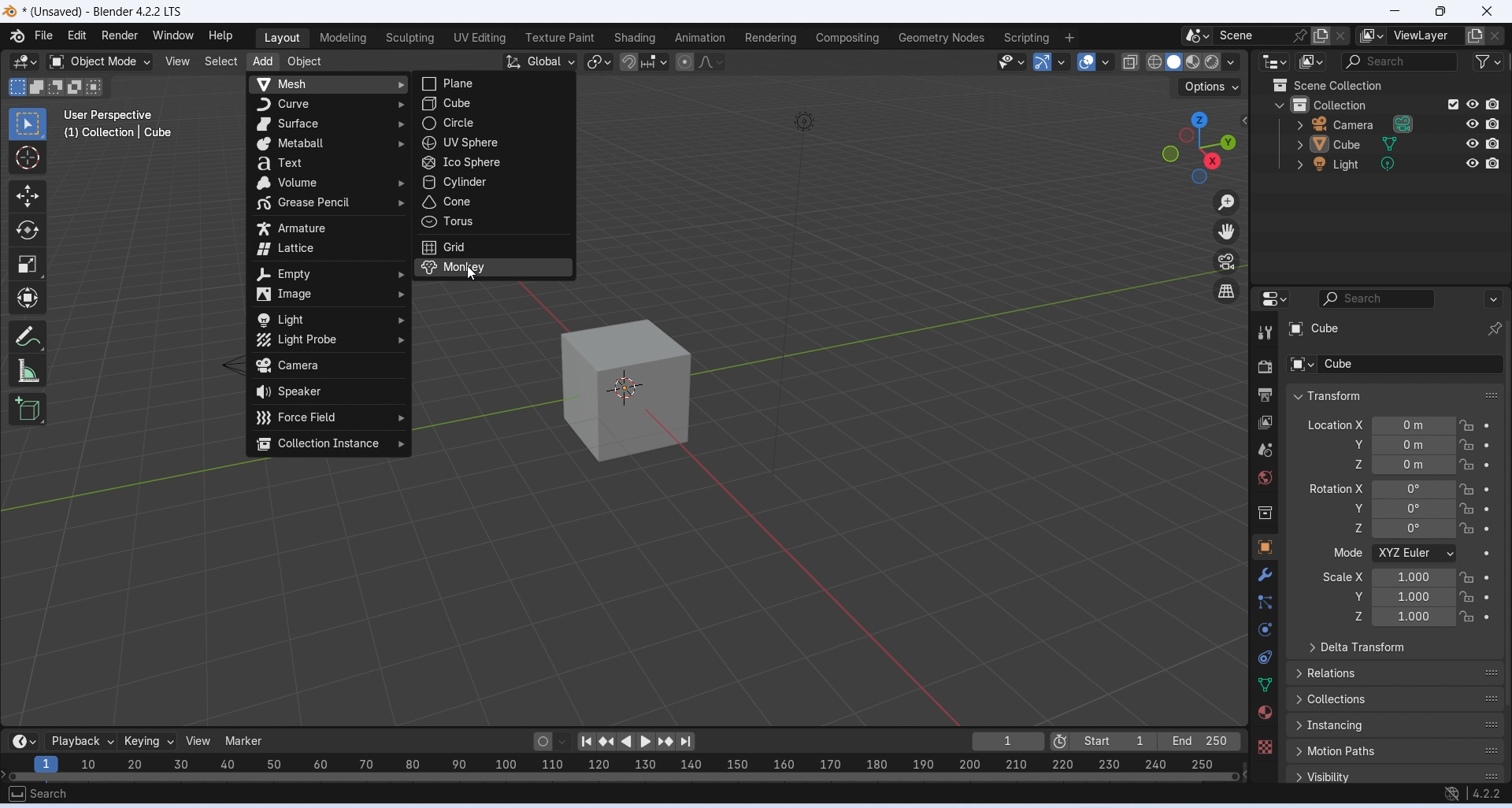 The width and height of the screenshot is (1512, 808). I want to click on icon, so click(1279, 85).